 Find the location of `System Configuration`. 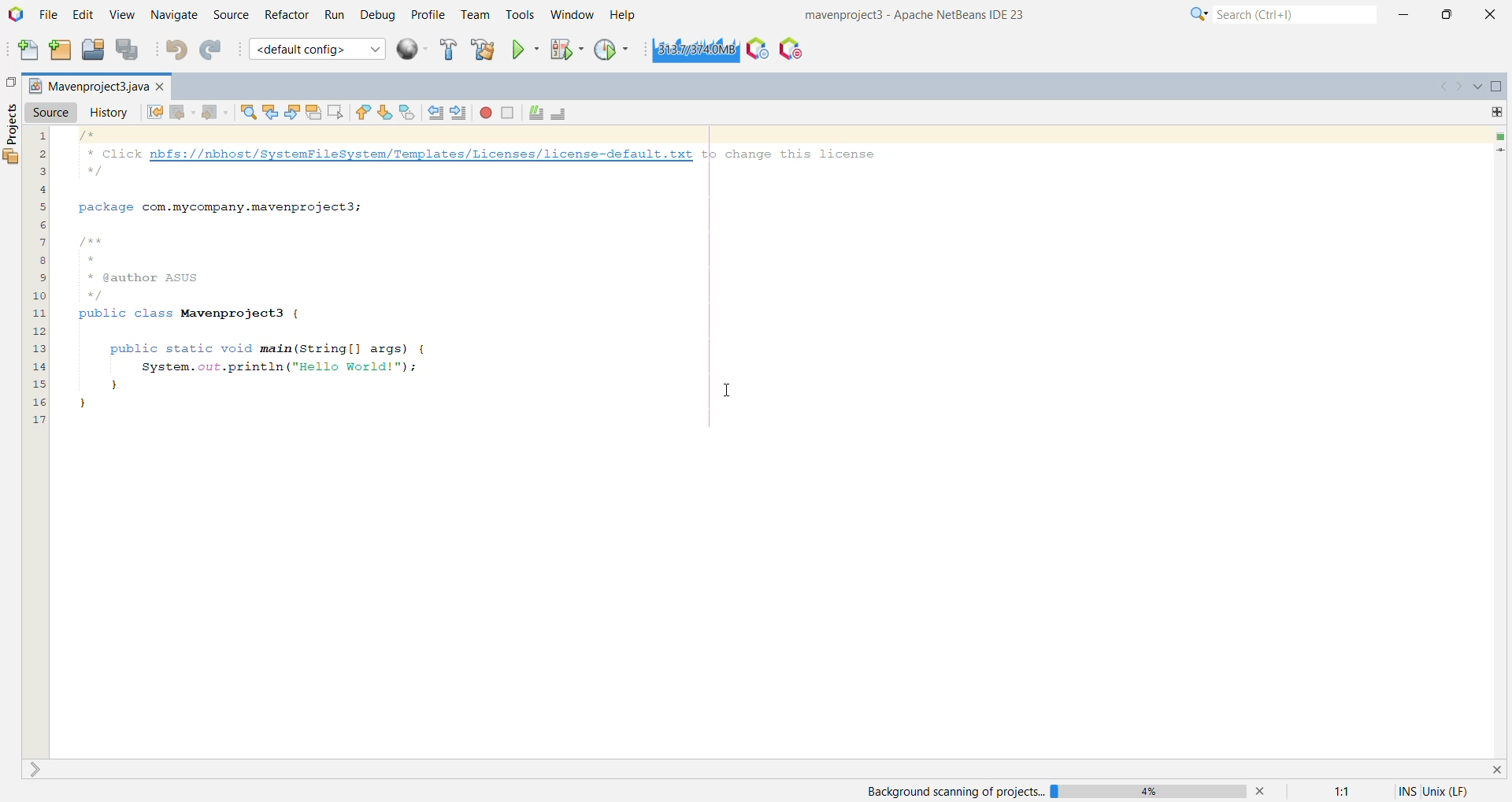

System Configuration is located at coordinates (1451, 792).